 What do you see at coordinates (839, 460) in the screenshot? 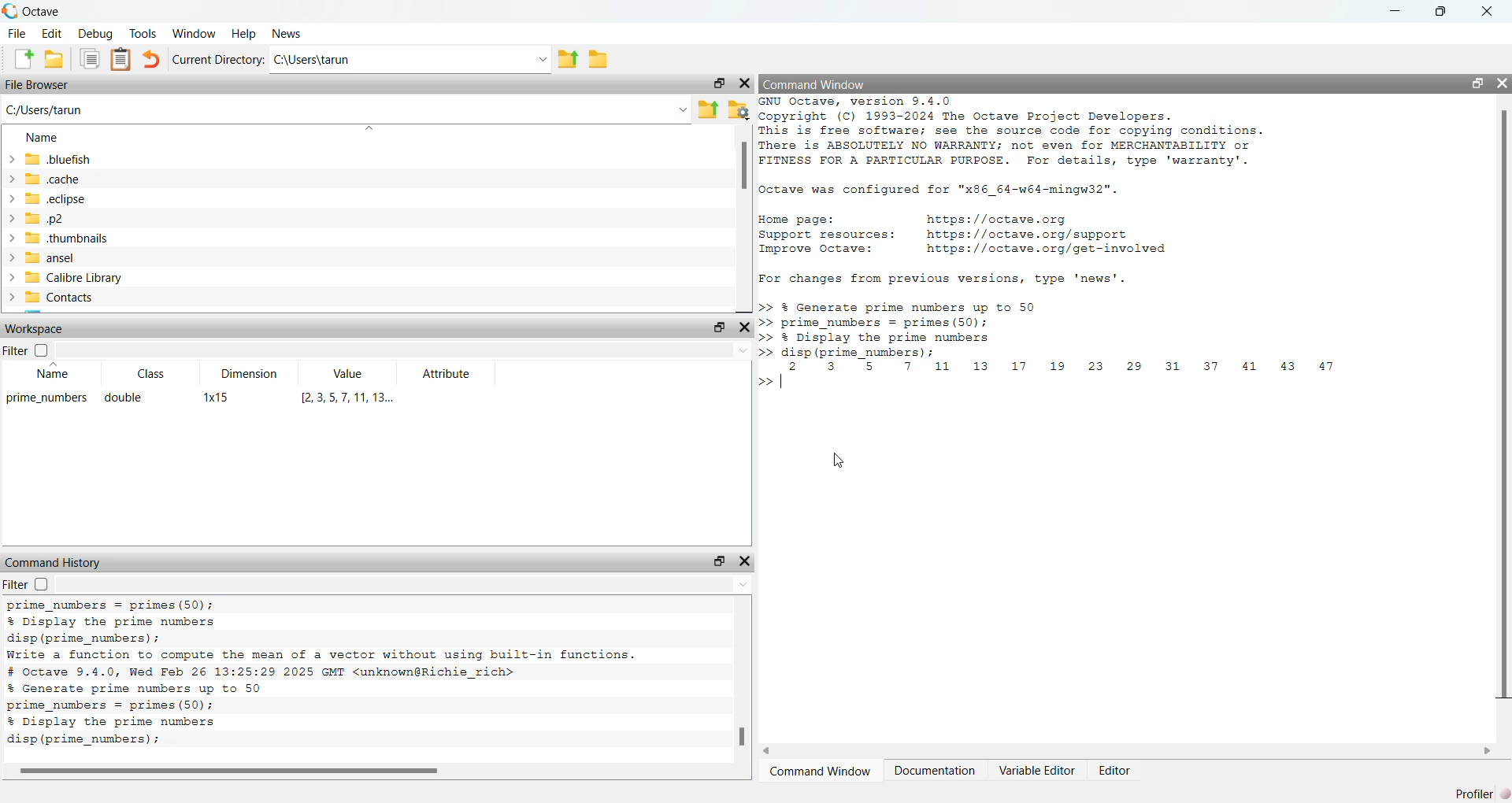
I see `cursor` at bounding box center [839, 460].